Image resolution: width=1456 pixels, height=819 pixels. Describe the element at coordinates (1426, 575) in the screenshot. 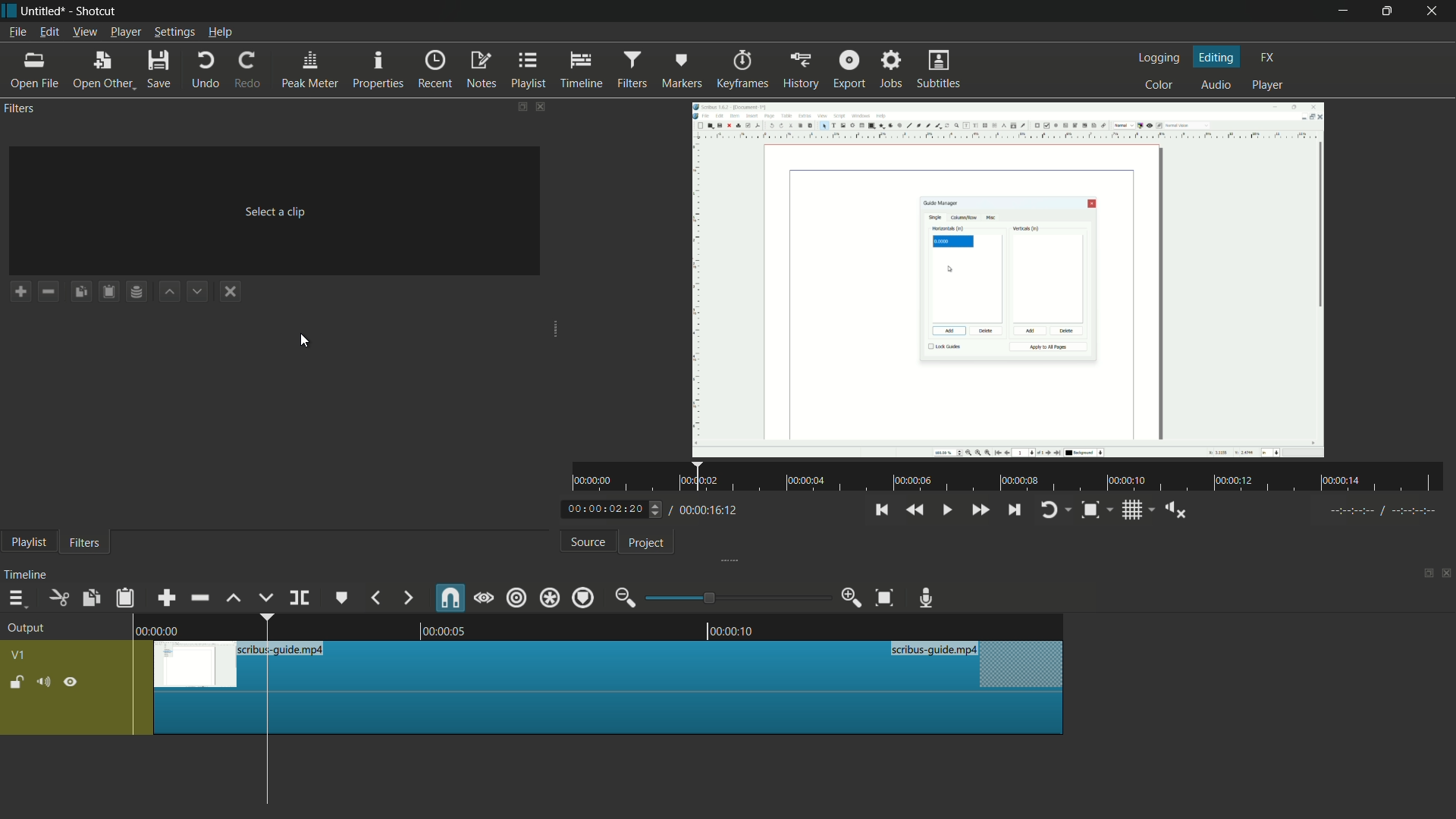

I see `change layout` at that location.